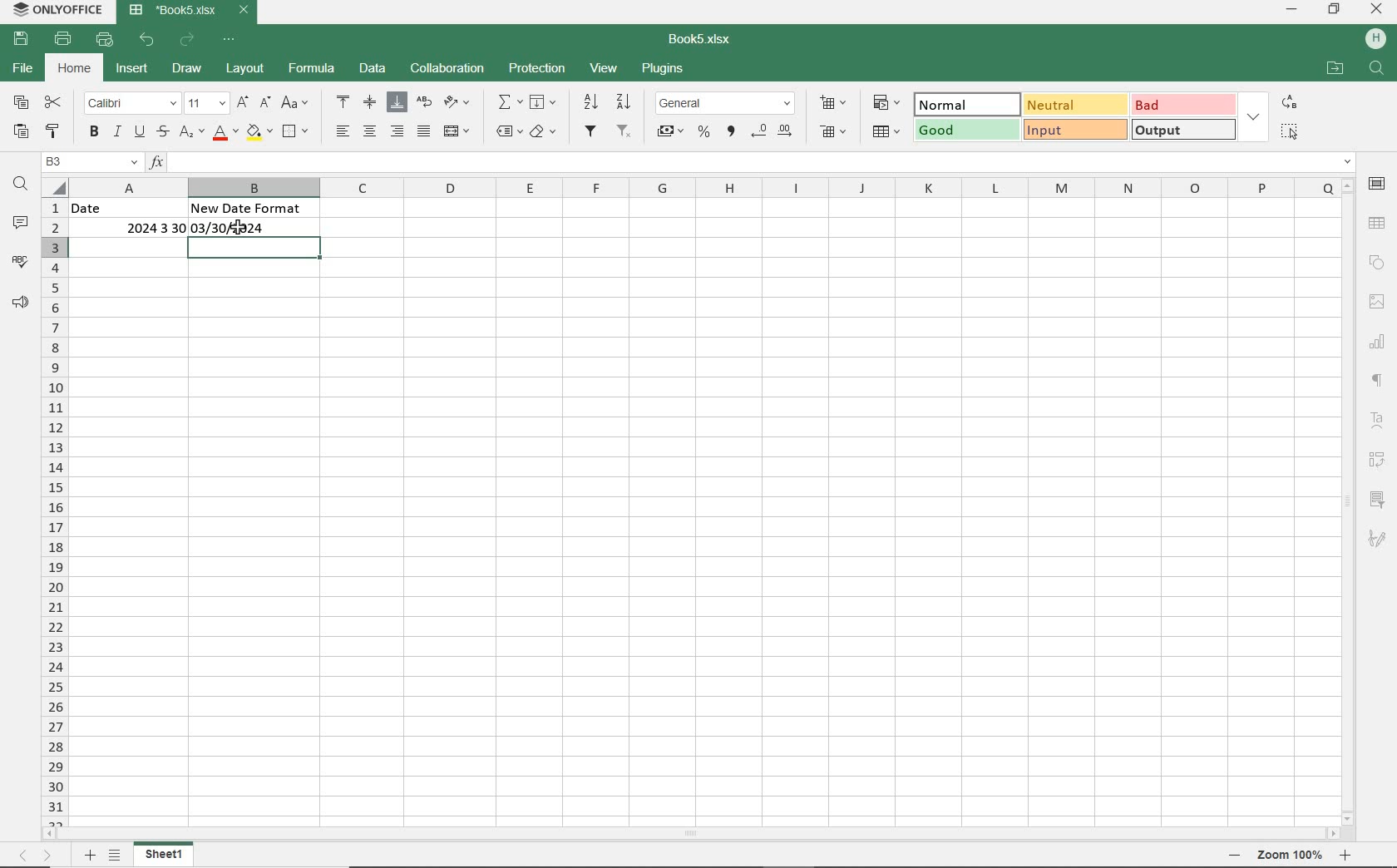 This screenshot has width=1397, height=868. Describe the element at coordinates (1378, 184) in the screenshot. I see `CELL SETTINGS` at that location.